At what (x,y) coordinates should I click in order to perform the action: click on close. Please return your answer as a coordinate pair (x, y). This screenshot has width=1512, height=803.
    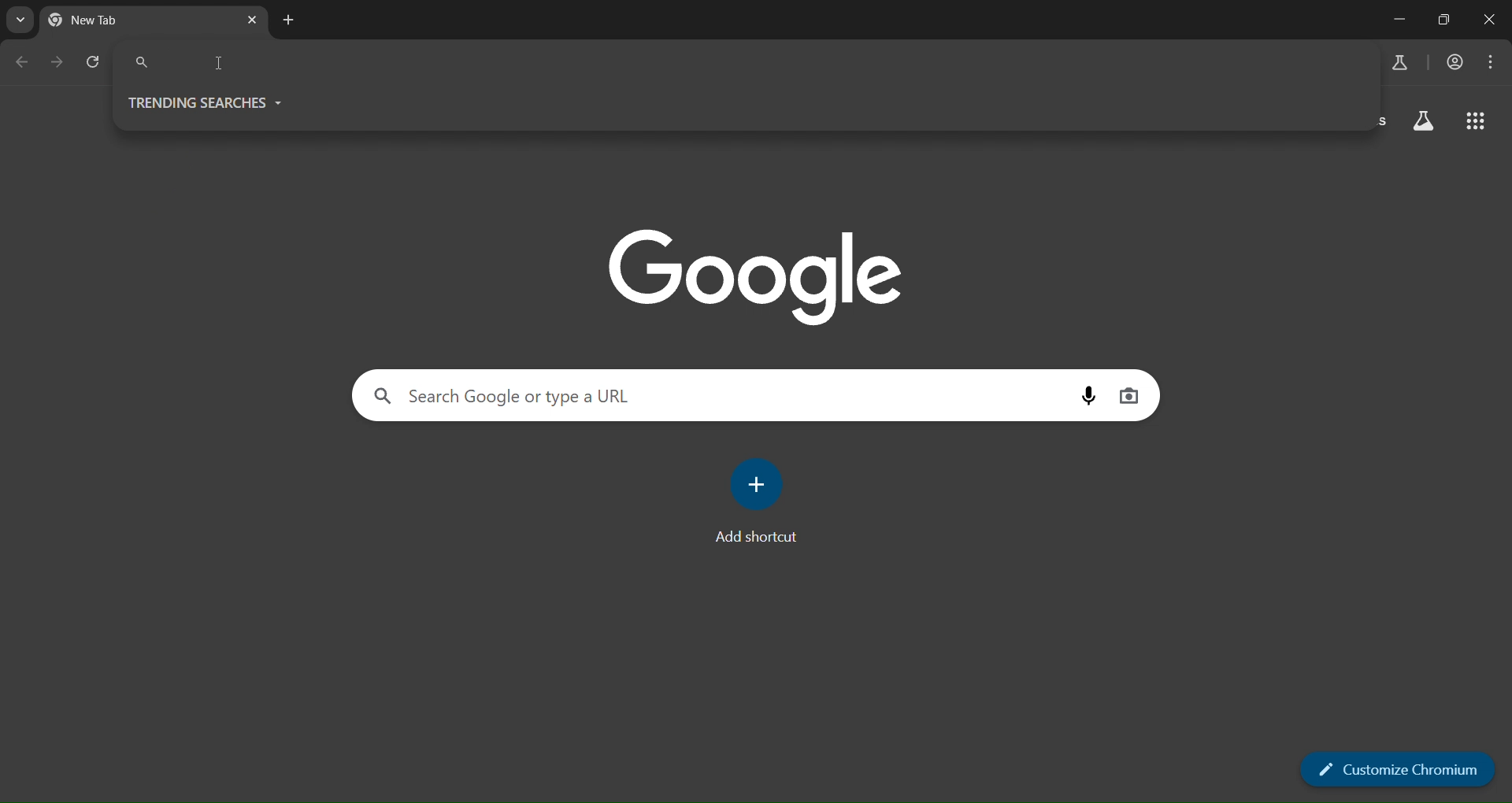
    Looking at the image, I should click on (1490, 20).